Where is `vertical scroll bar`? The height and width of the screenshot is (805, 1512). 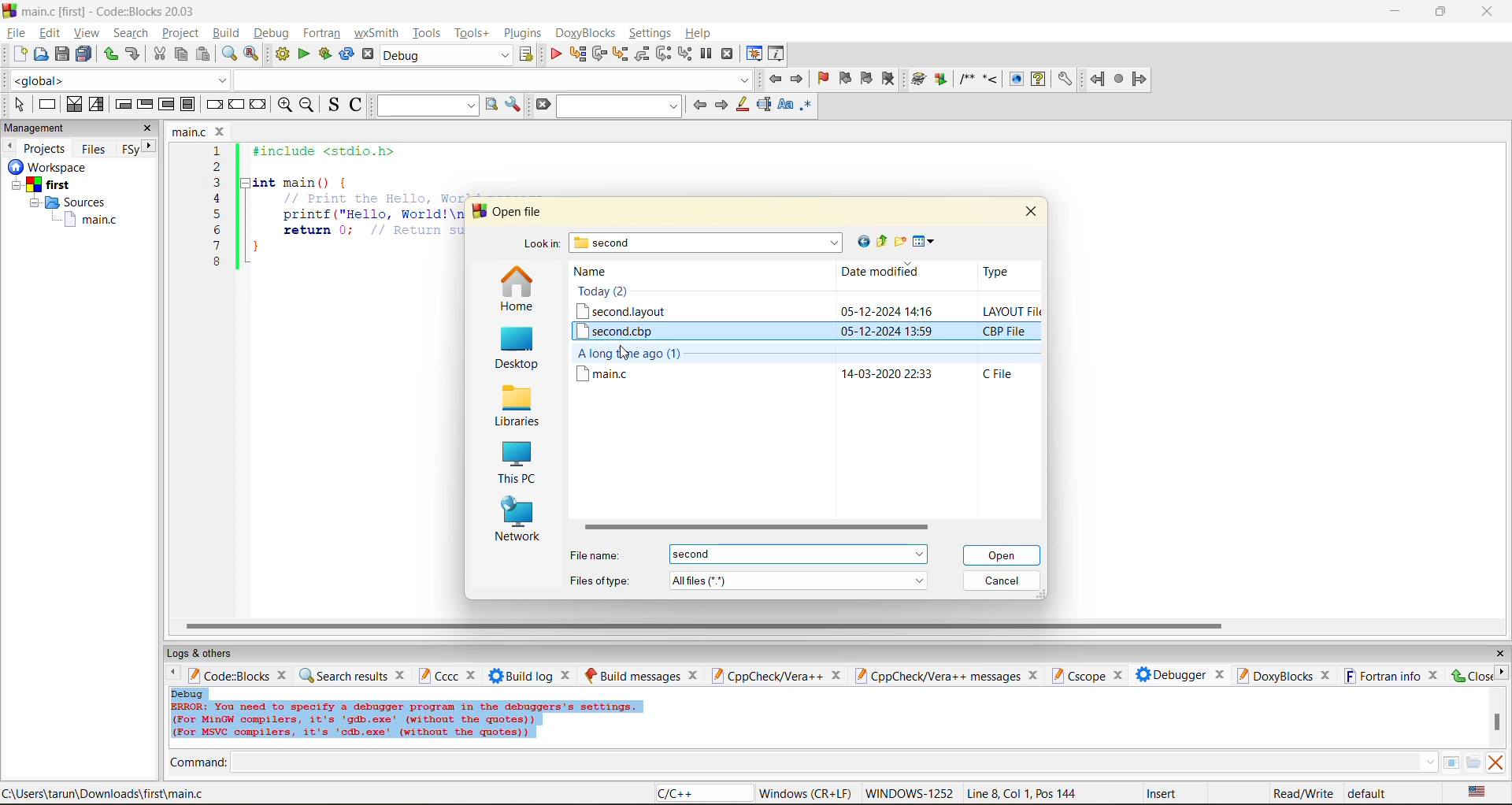
vertical scroll bar is located at coordinates (1496, 722).